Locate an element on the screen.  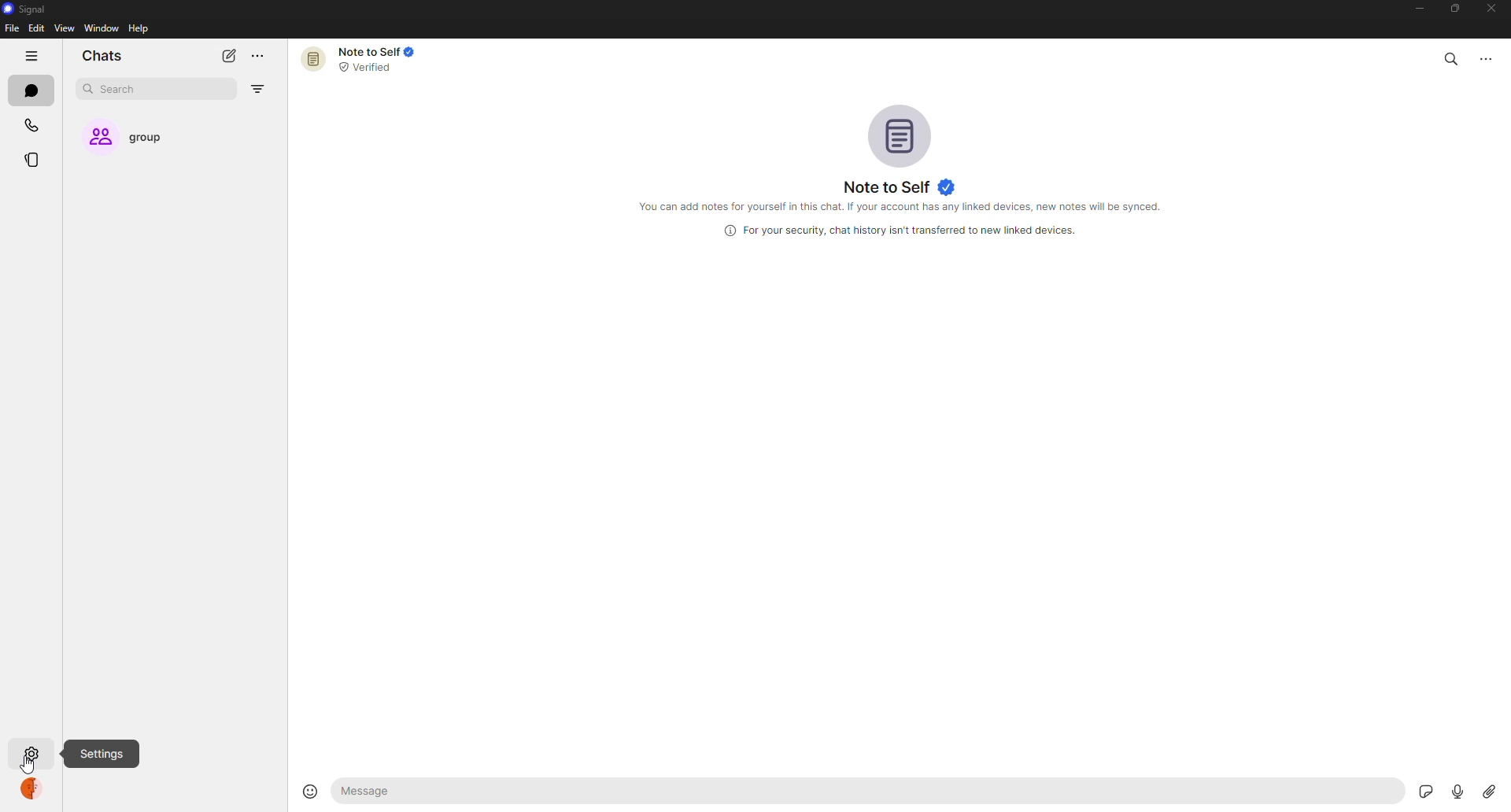
group is located at coordinates (139, 138).